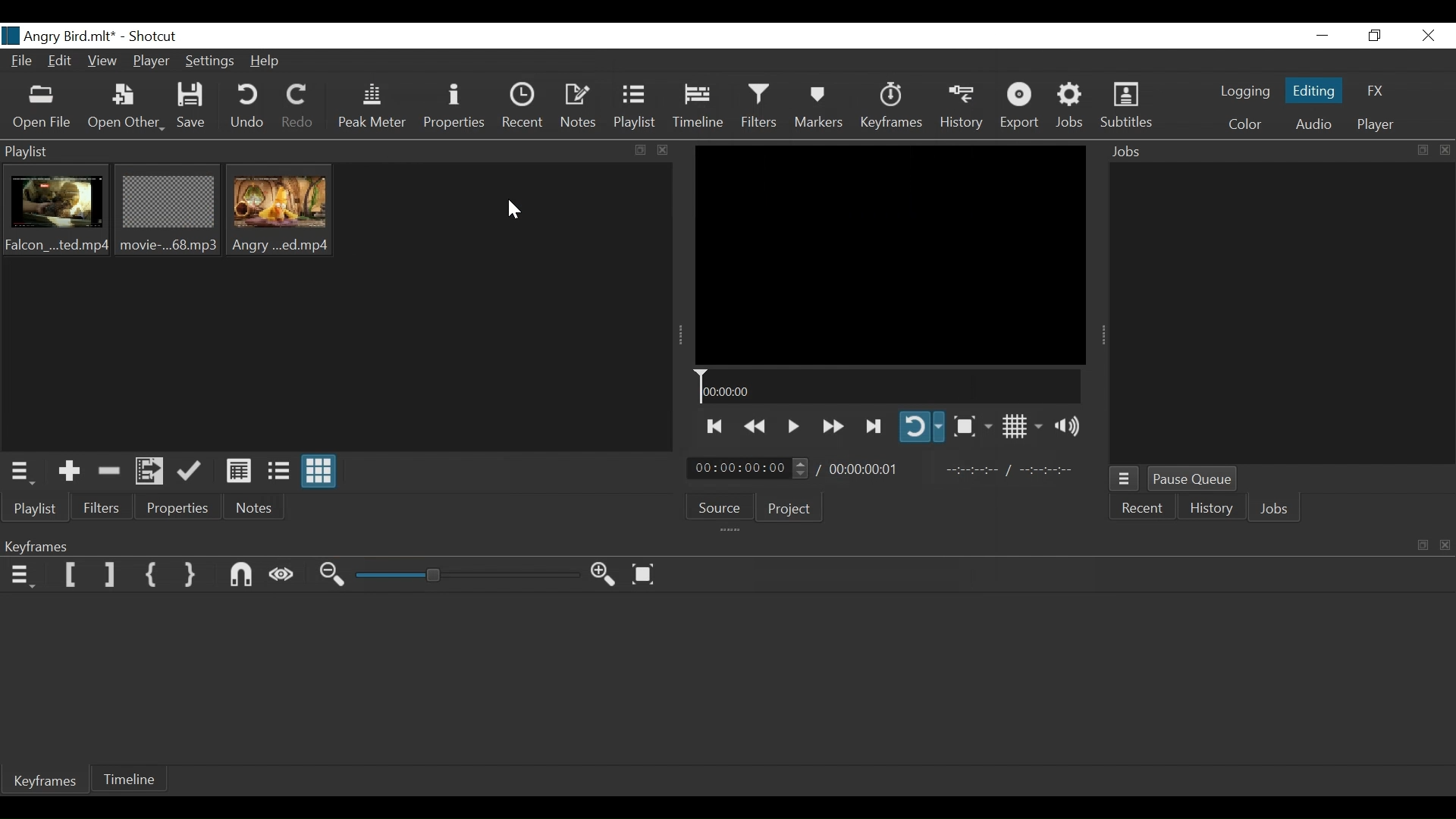 The height and width of the screenshot is (819, 1456). What do you see at coordinates (1214, 510) in the screenshot?
I see `History` at bounding box center [1214, 510].